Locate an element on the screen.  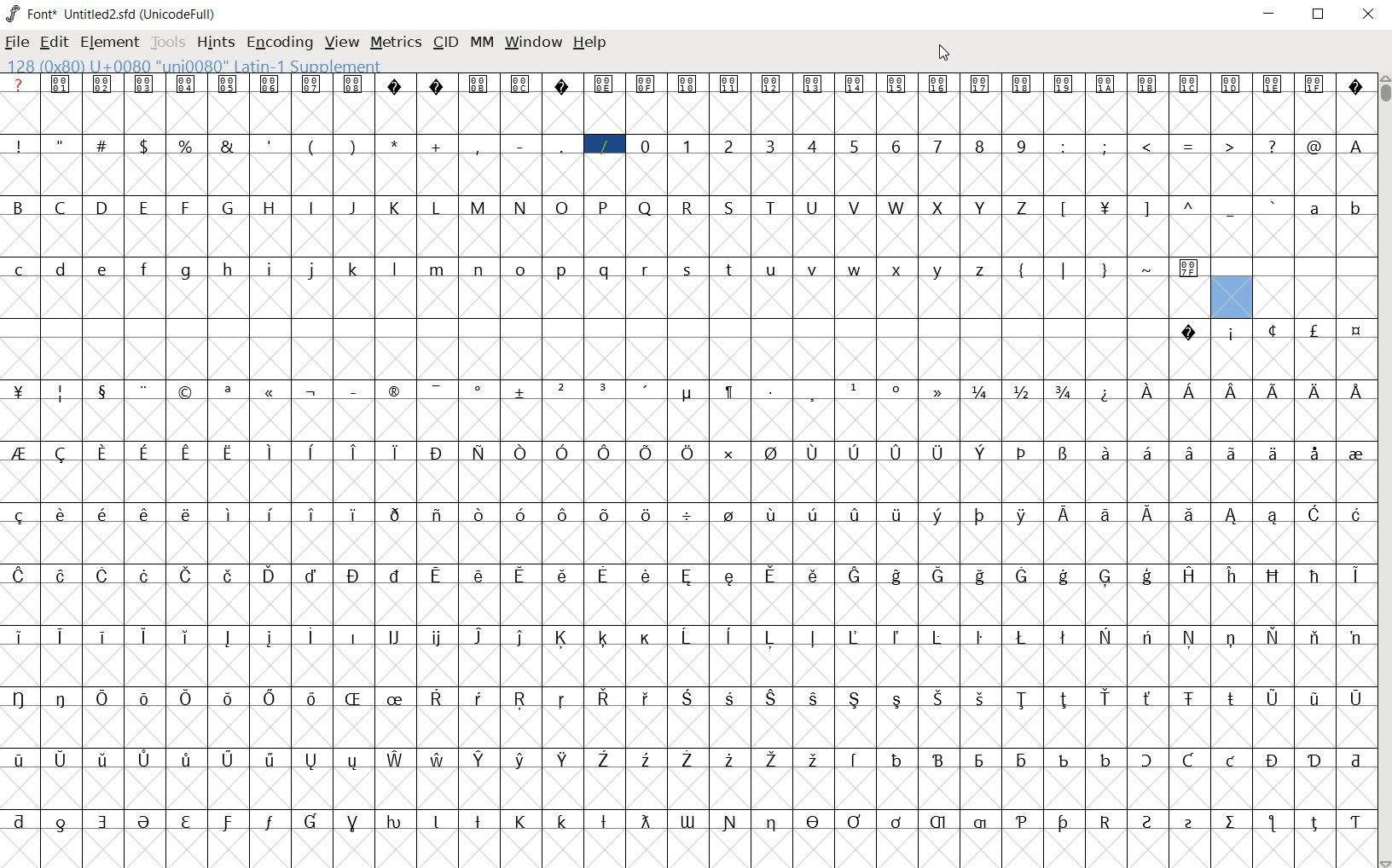
glyph is located at coordinates (937, 576).